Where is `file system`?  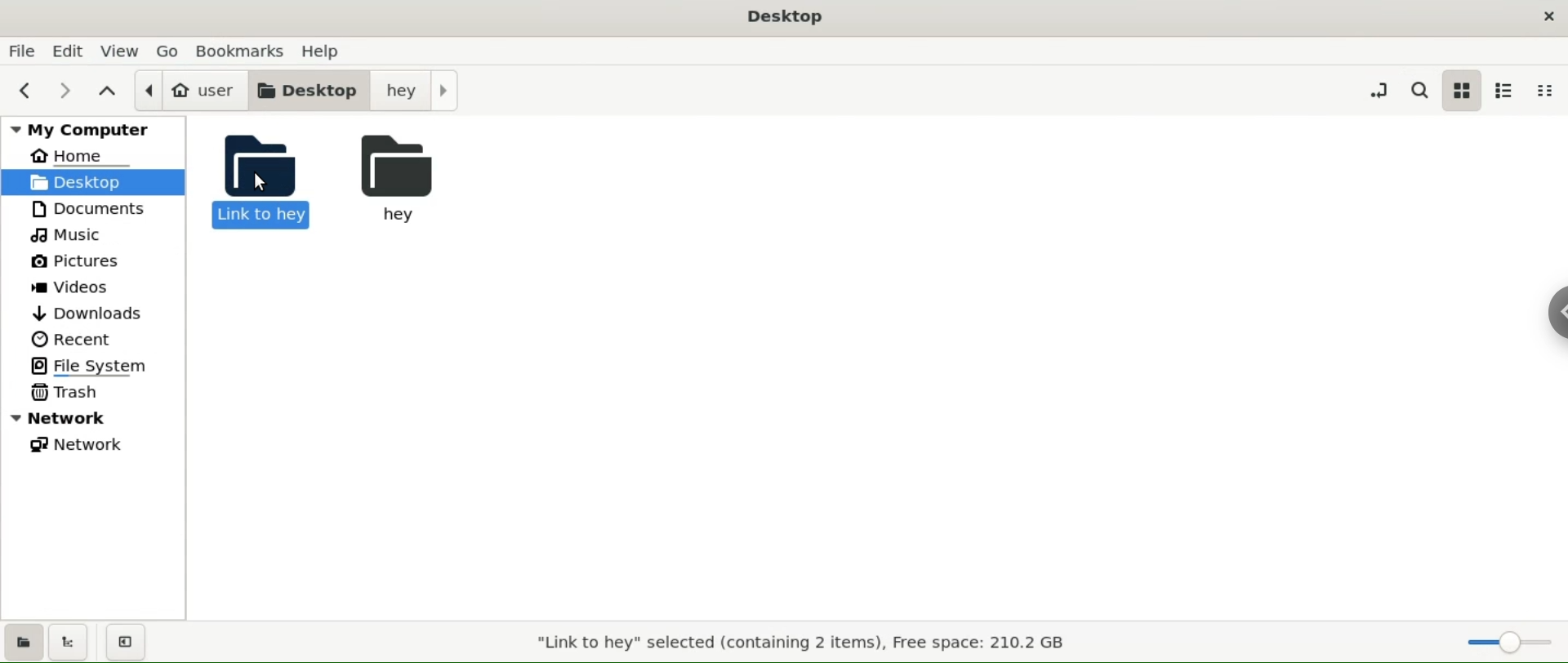
file system is located at coordinates (91, 365).